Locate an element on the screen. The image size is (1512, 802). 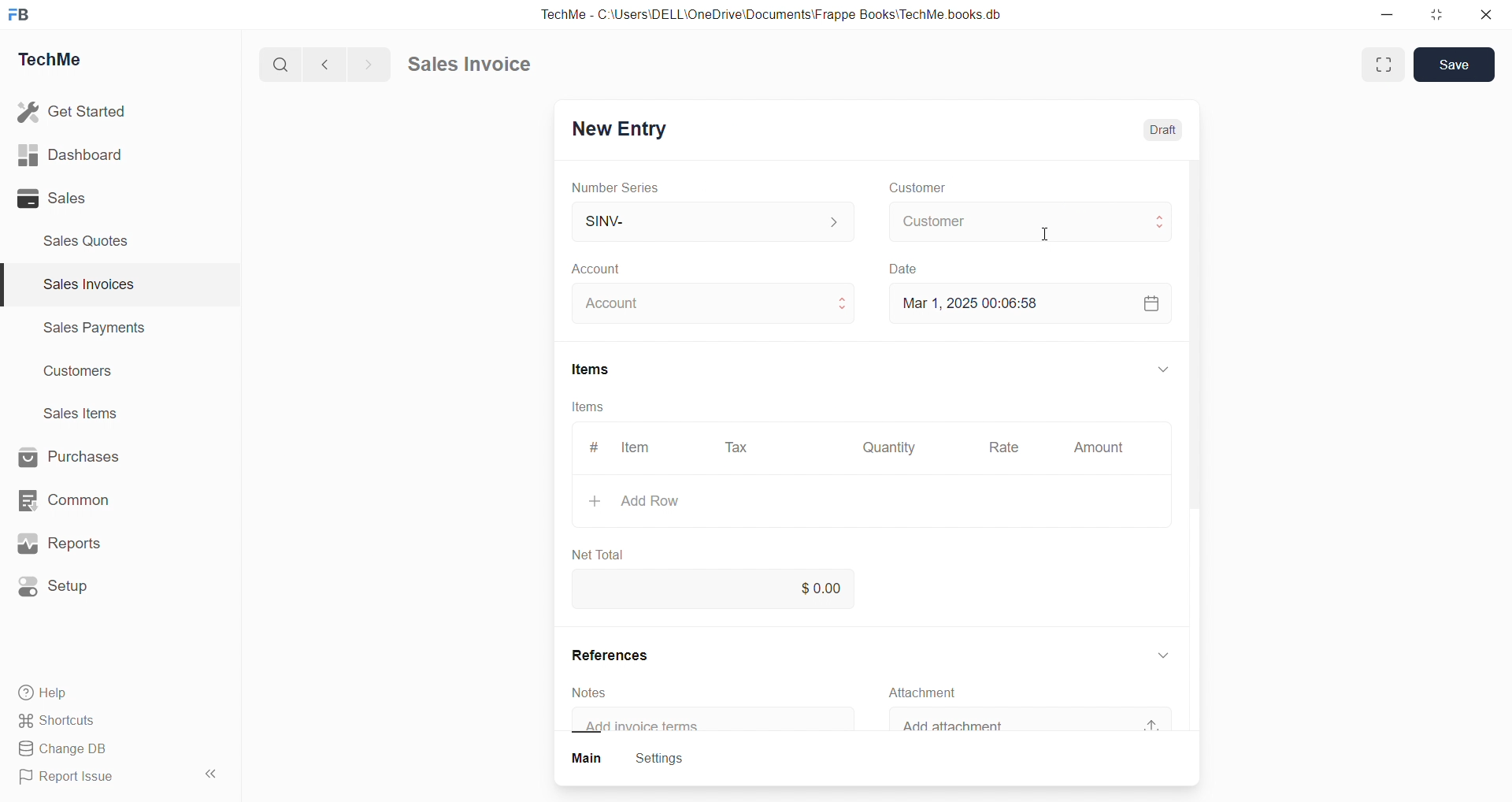
Tax is located at coordinates (739, 448).